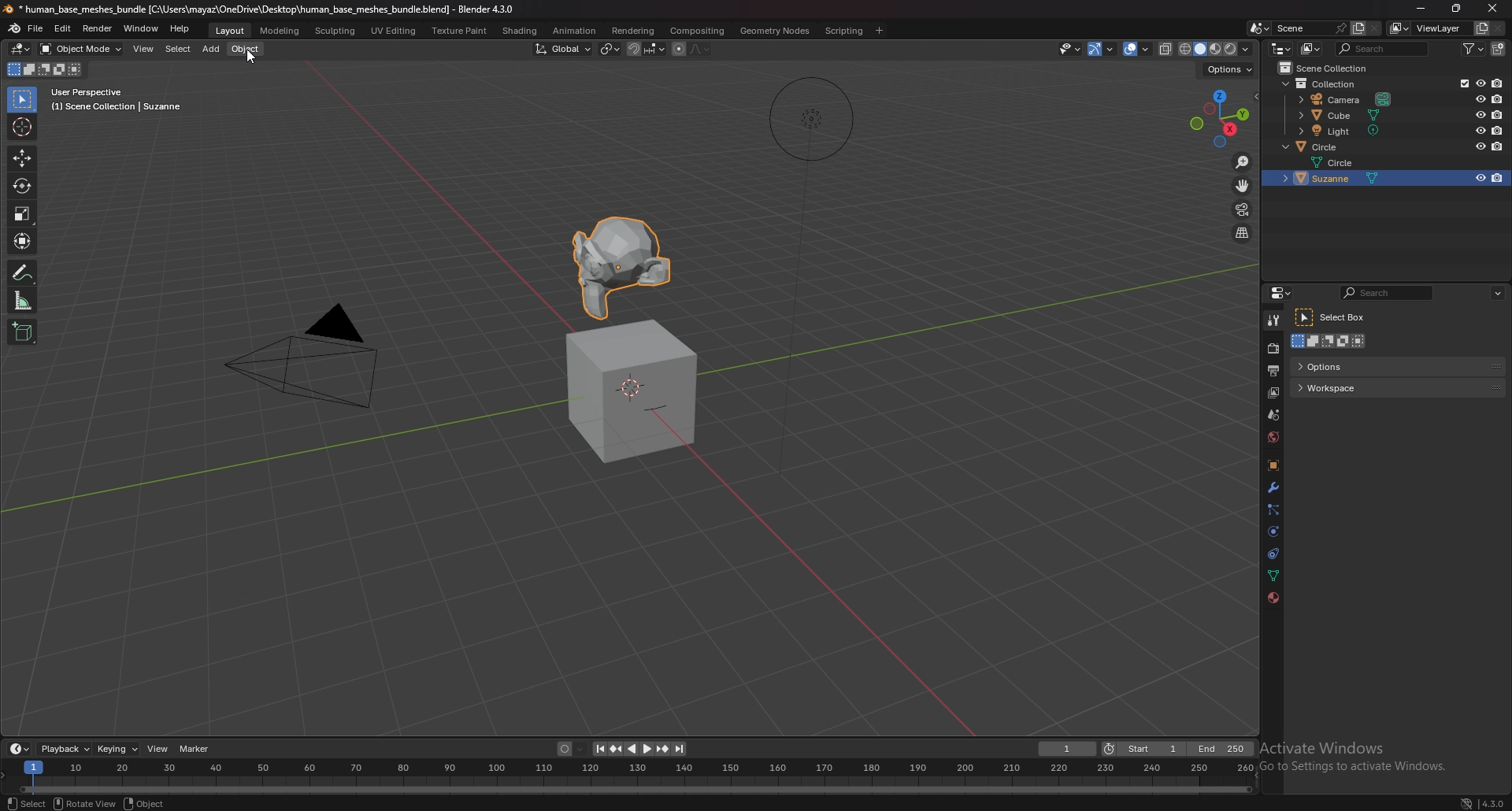 This screenshot has width=1512, height=811. I want to click on select box, so click(1336, 318).